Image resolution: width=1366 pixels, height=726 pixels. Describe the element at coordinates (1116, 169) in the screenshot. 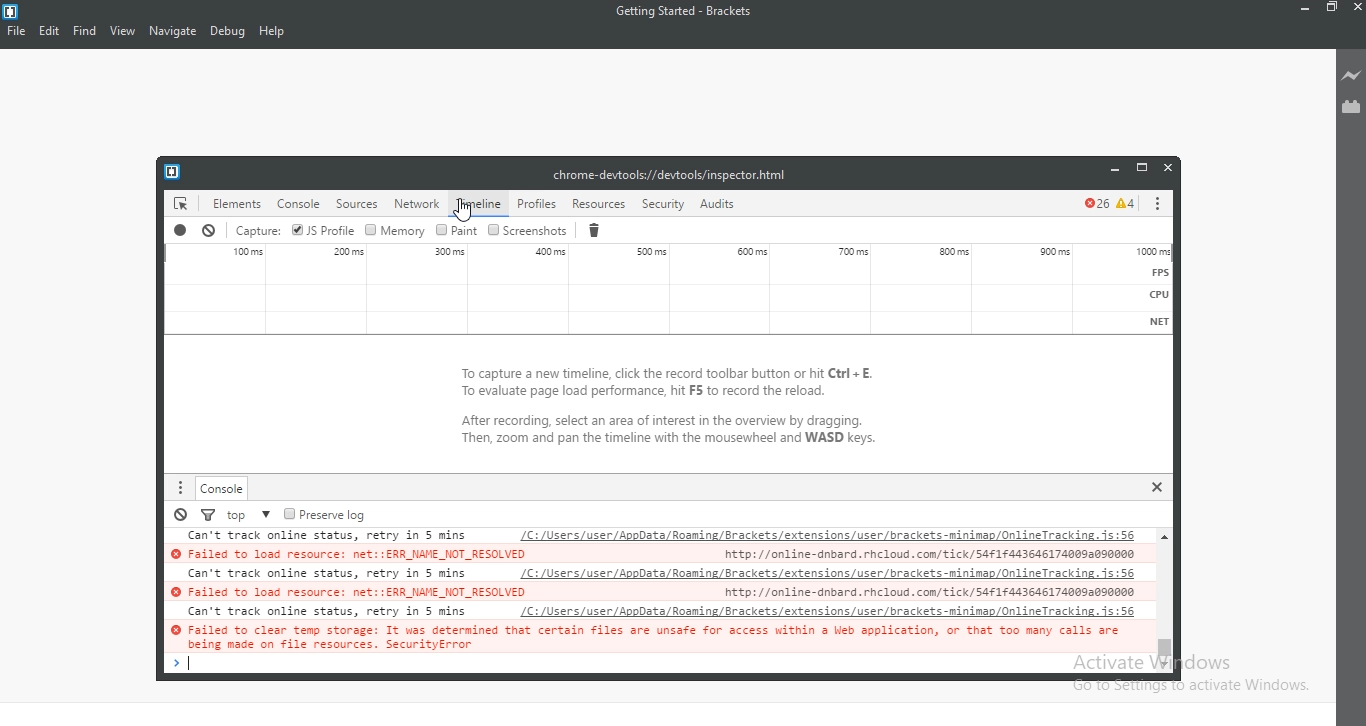

I see `minimise` at that location.